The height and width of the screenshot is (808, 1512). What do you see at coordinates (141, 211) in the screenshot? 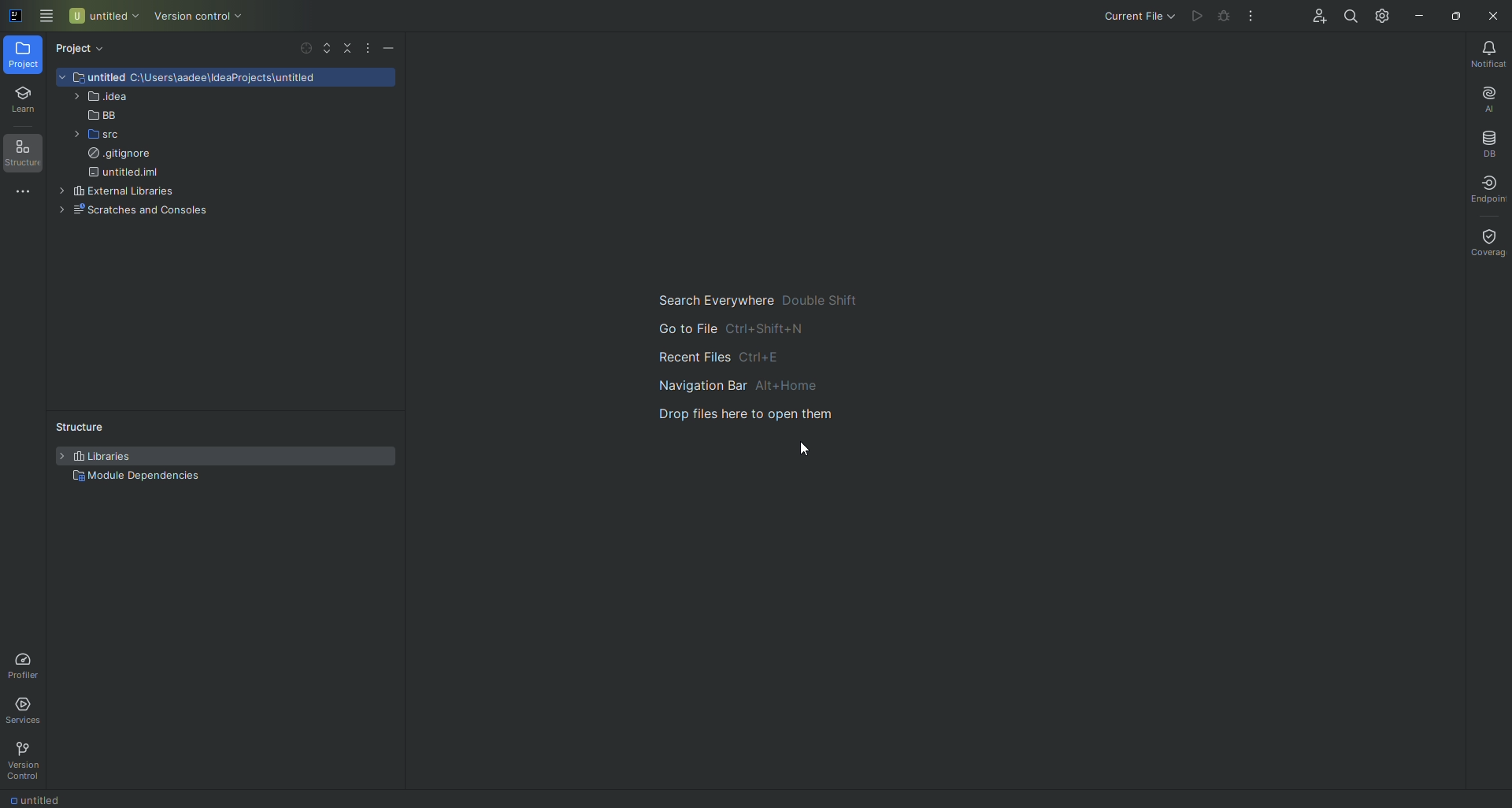
I see `Scratches and Console` at bounding box center [141, 211].